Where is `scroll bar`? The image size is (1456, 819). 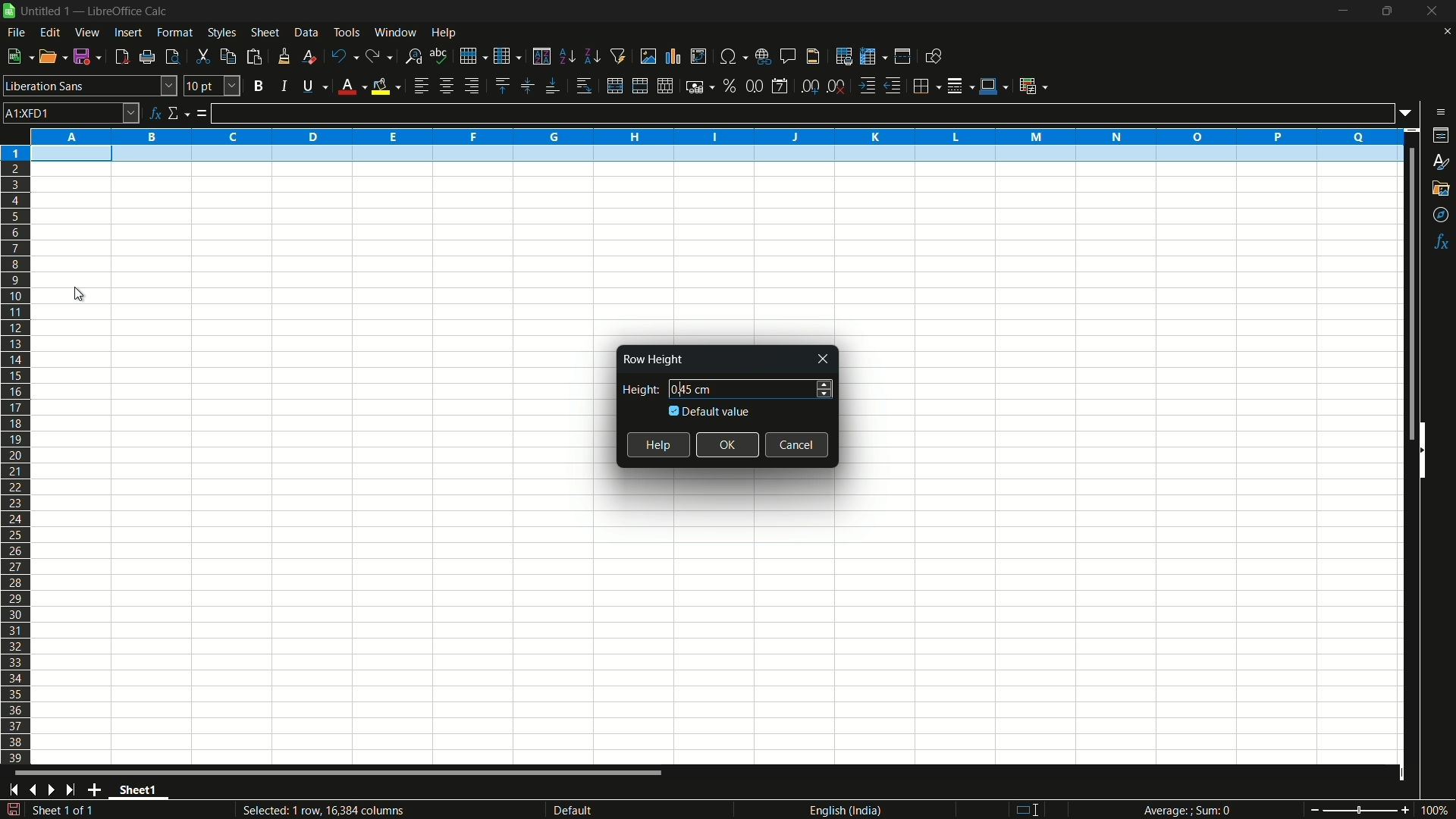
scroll bar is located at coordinates (1403, 294).